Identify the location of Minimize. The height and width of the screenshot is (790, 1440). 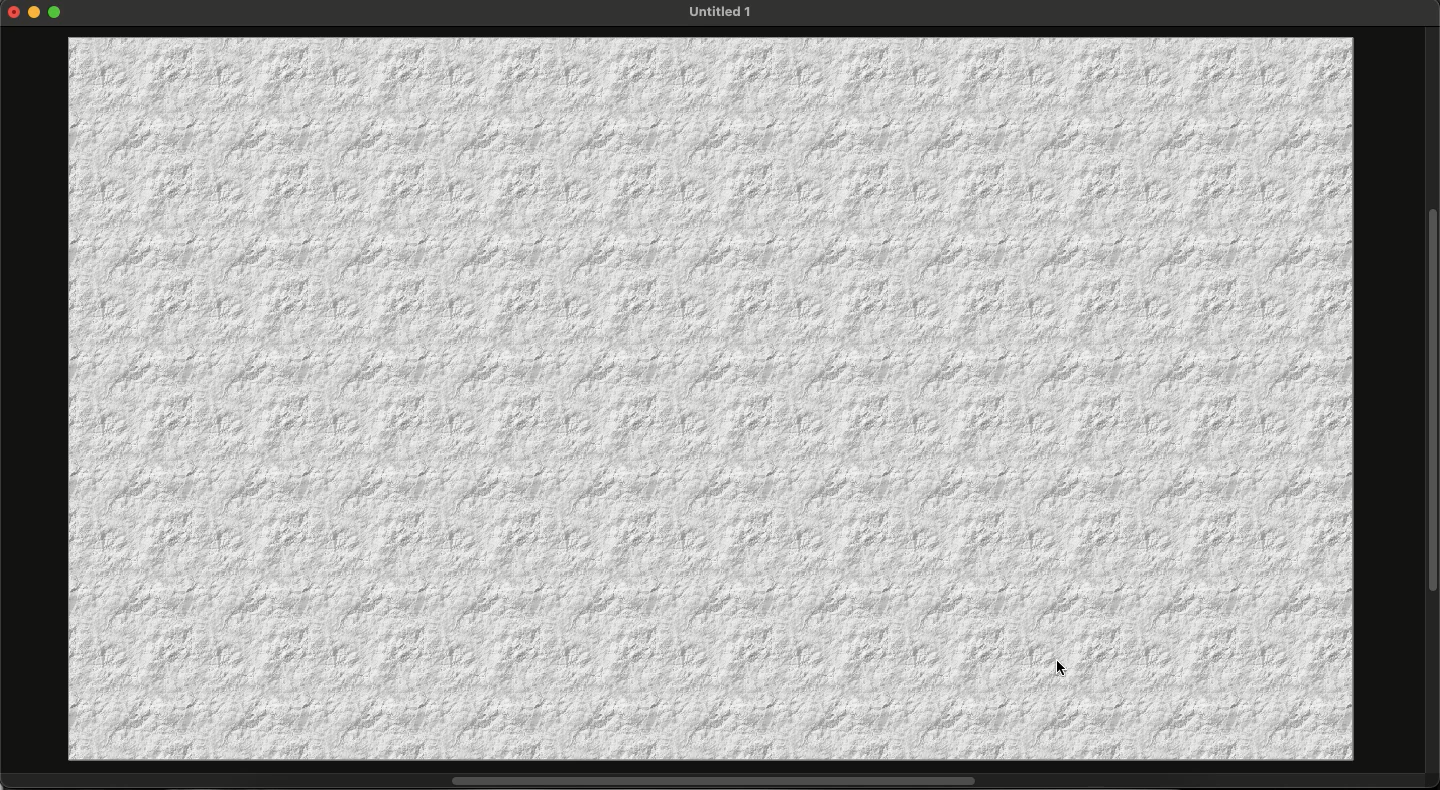
(37, 12).